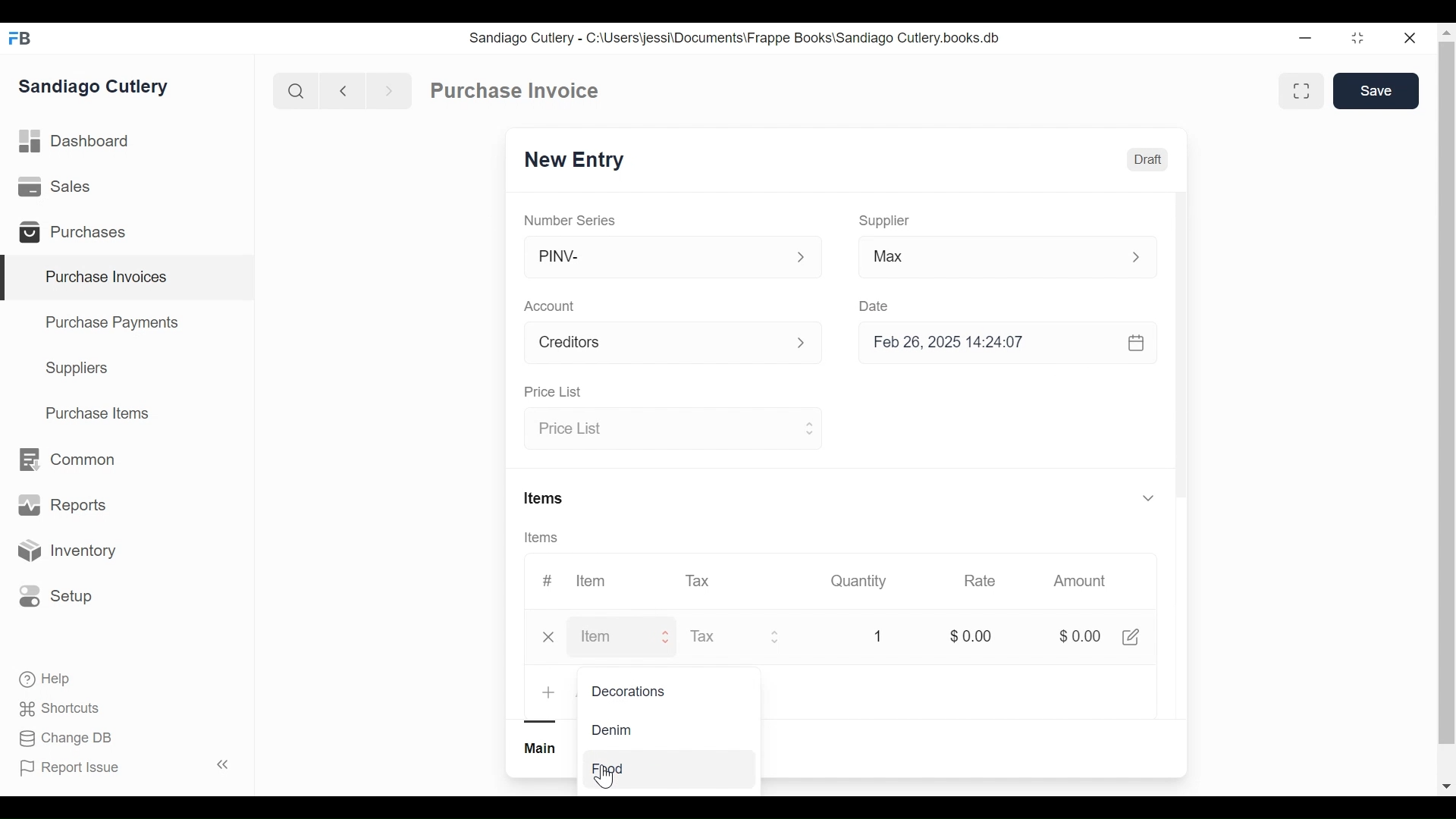 The image size is (1456, 819). Describe the element at coordinates (776, 636) in the screenshot. I see `Expand` at that location.